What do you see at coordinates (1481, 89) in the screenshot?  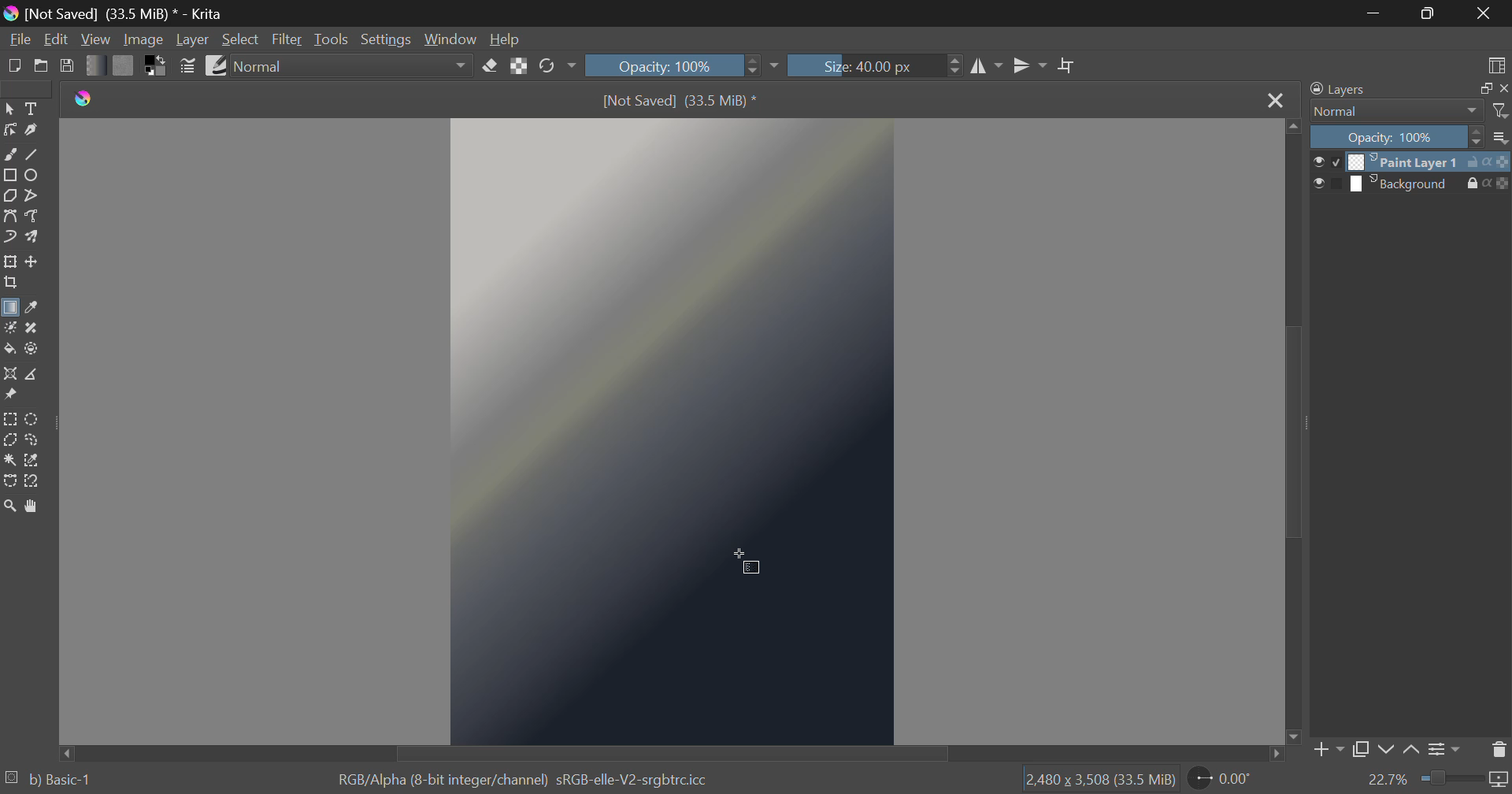 I see `full screen` at bounding box center [1481, 89].